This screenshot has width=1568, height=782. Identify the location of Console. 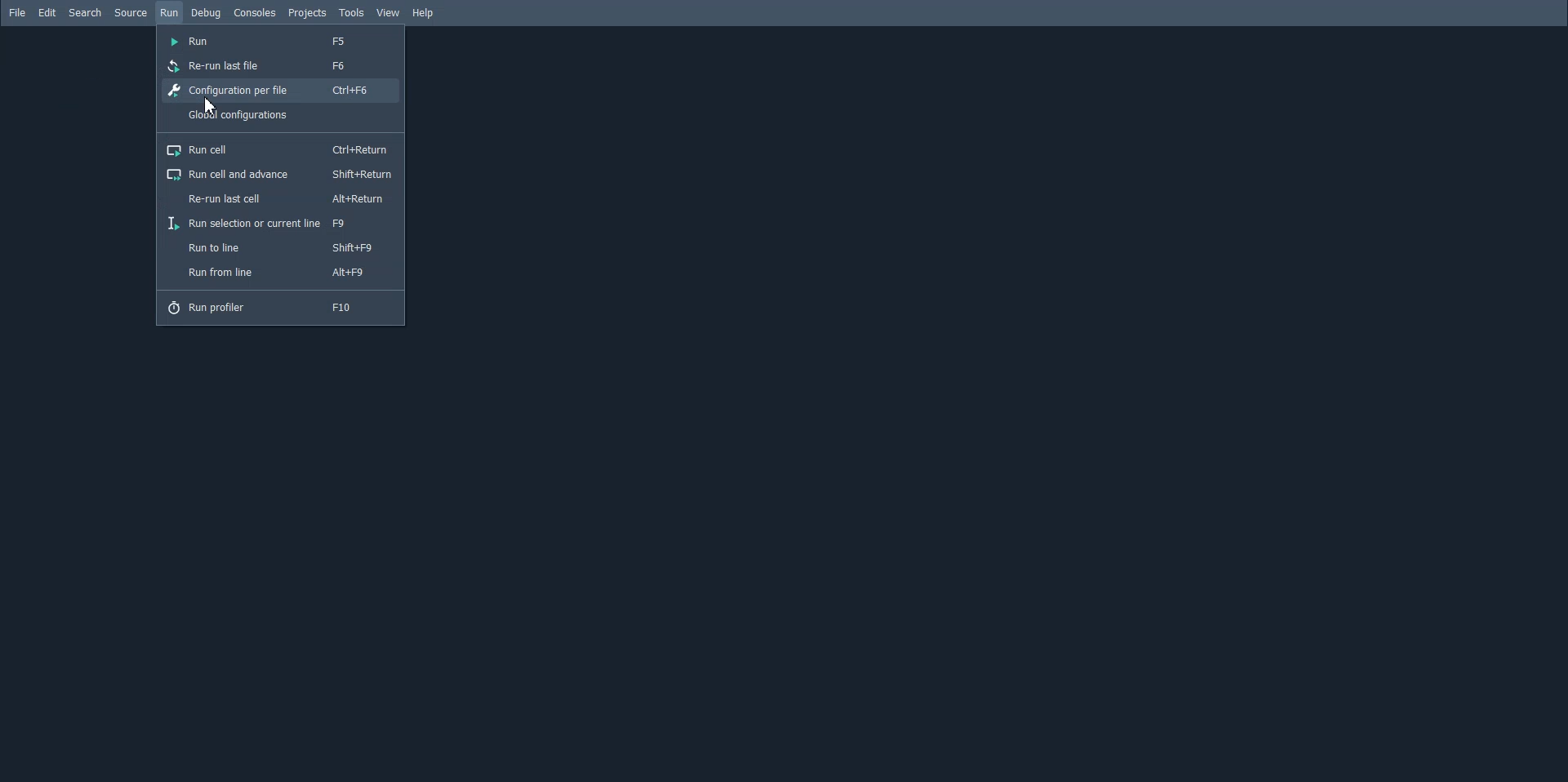
(255, 12).